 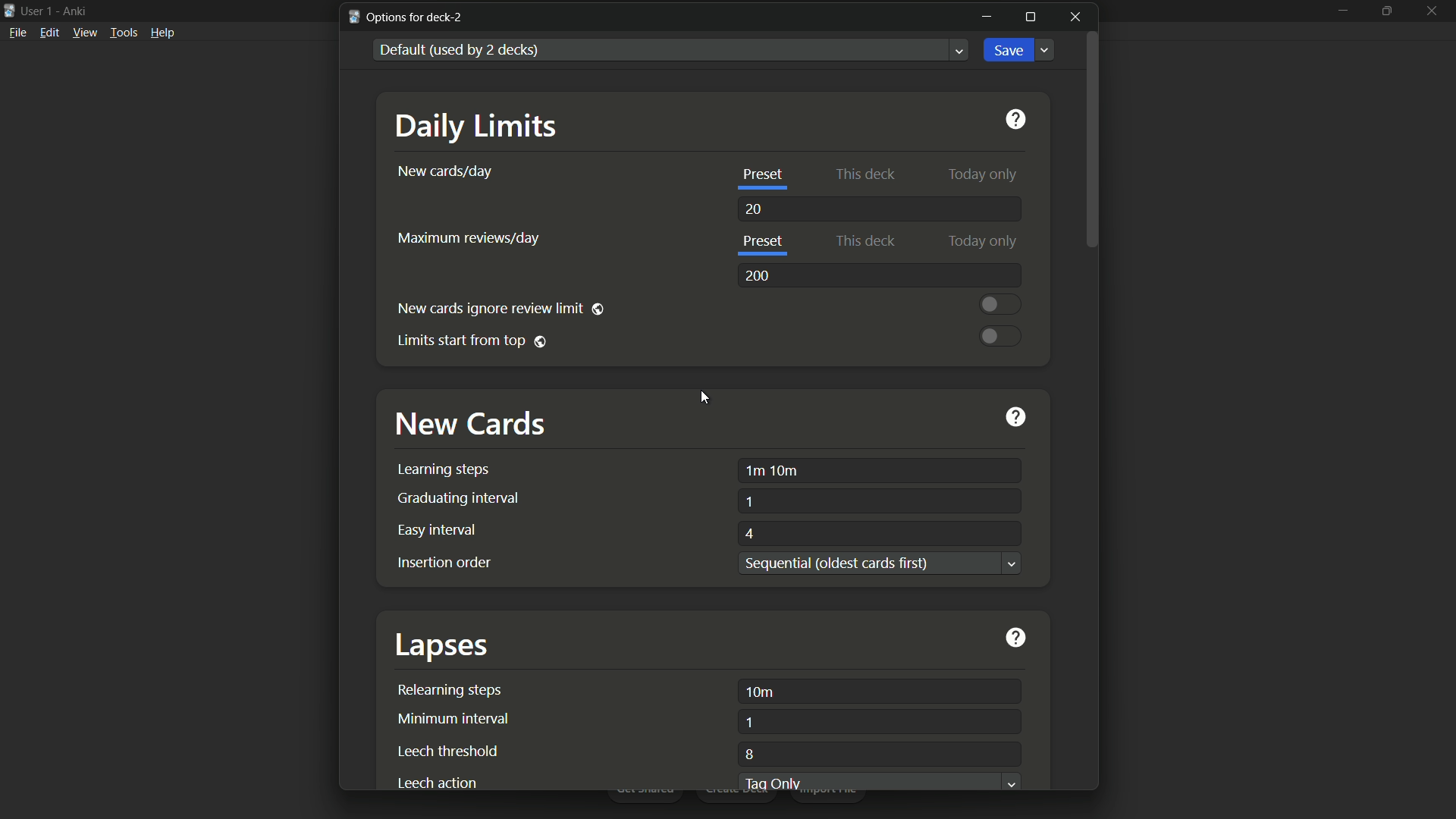 What do you see at coordinates (74, 11) in the screenshot?
I see `app name` at bounding box center [74, 11].